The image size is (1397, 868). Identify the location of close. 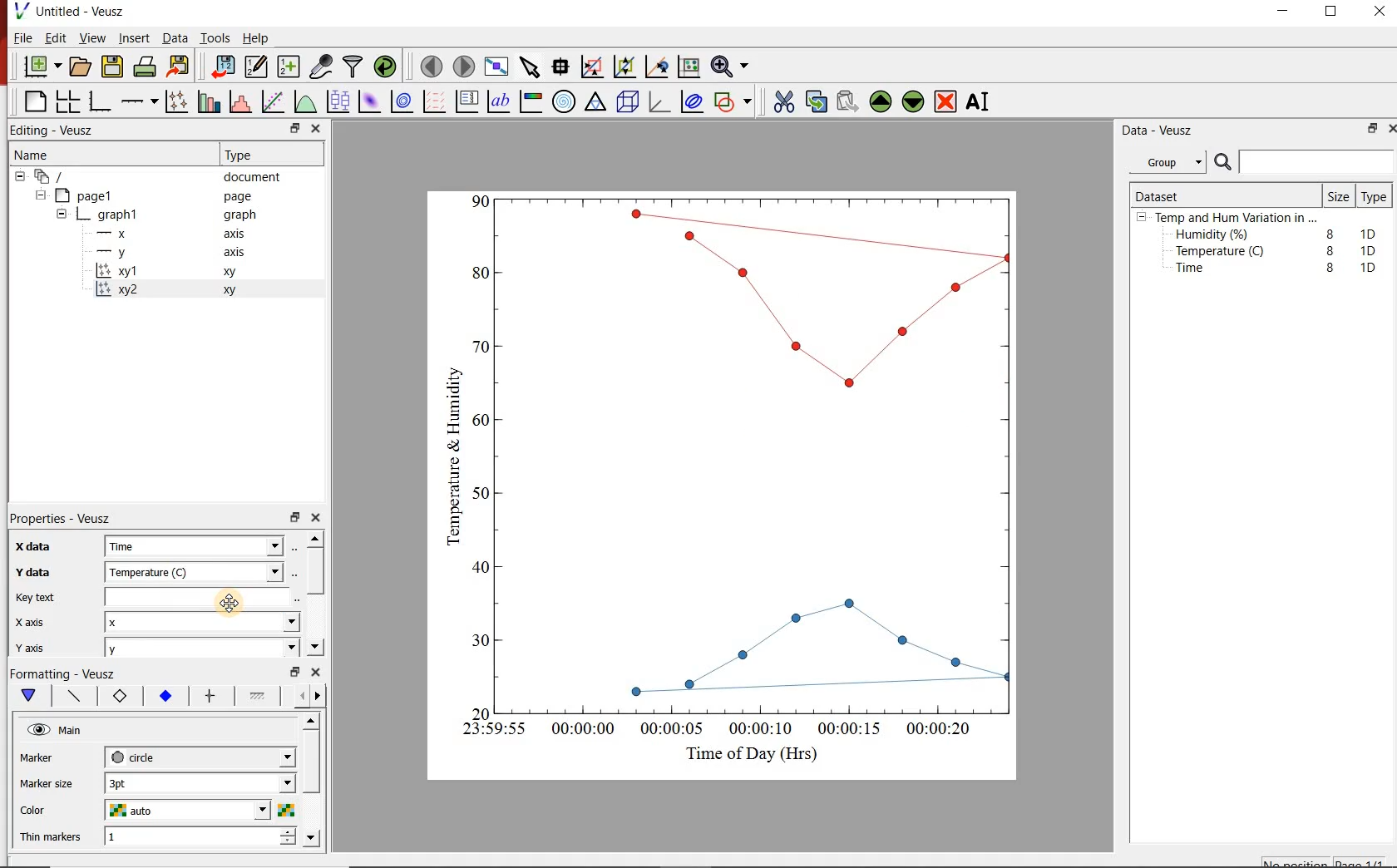
(318, 673).